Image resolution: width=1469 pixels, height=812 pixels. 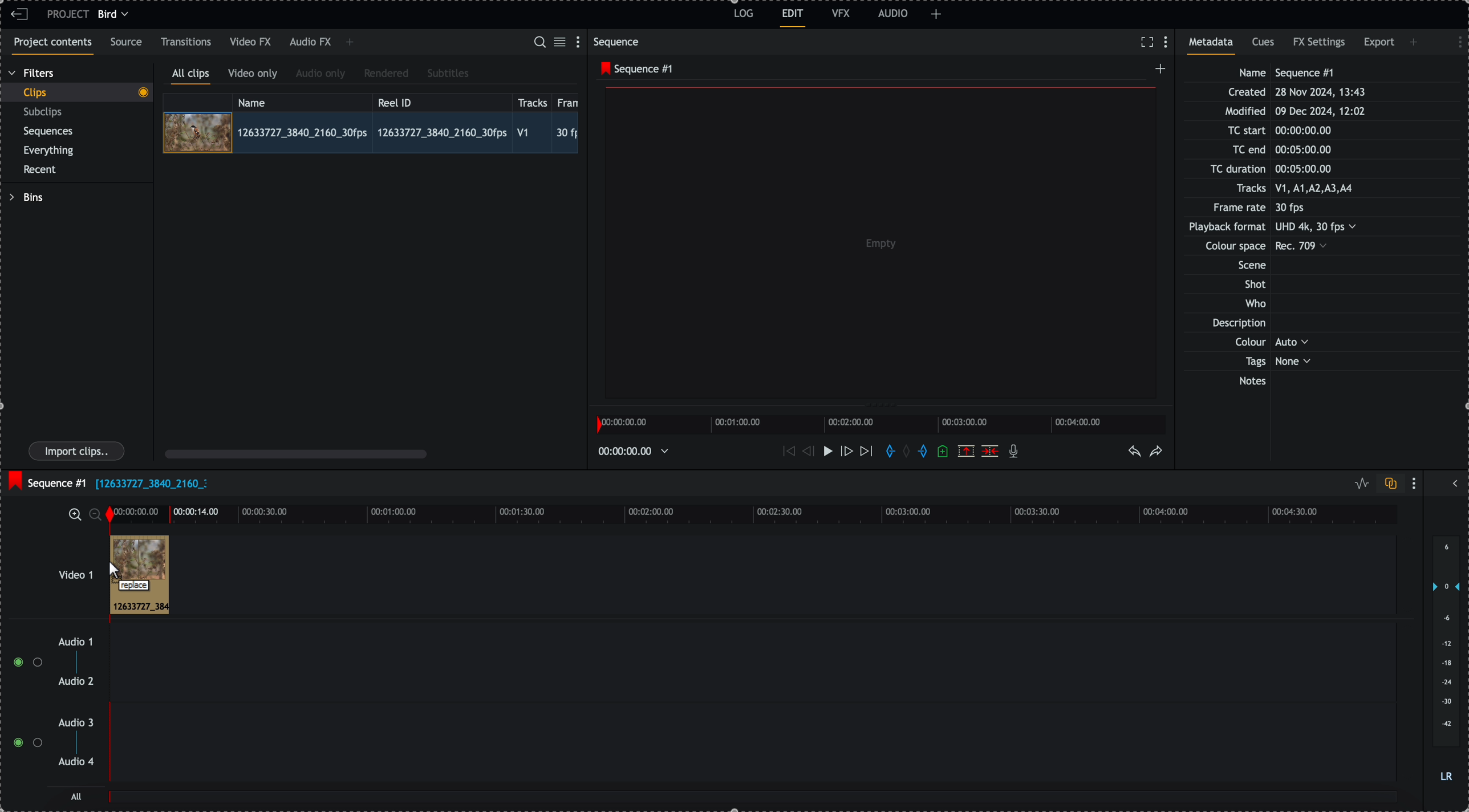 I want to click on toggle auto track sync, so click(x=1388, y=484).